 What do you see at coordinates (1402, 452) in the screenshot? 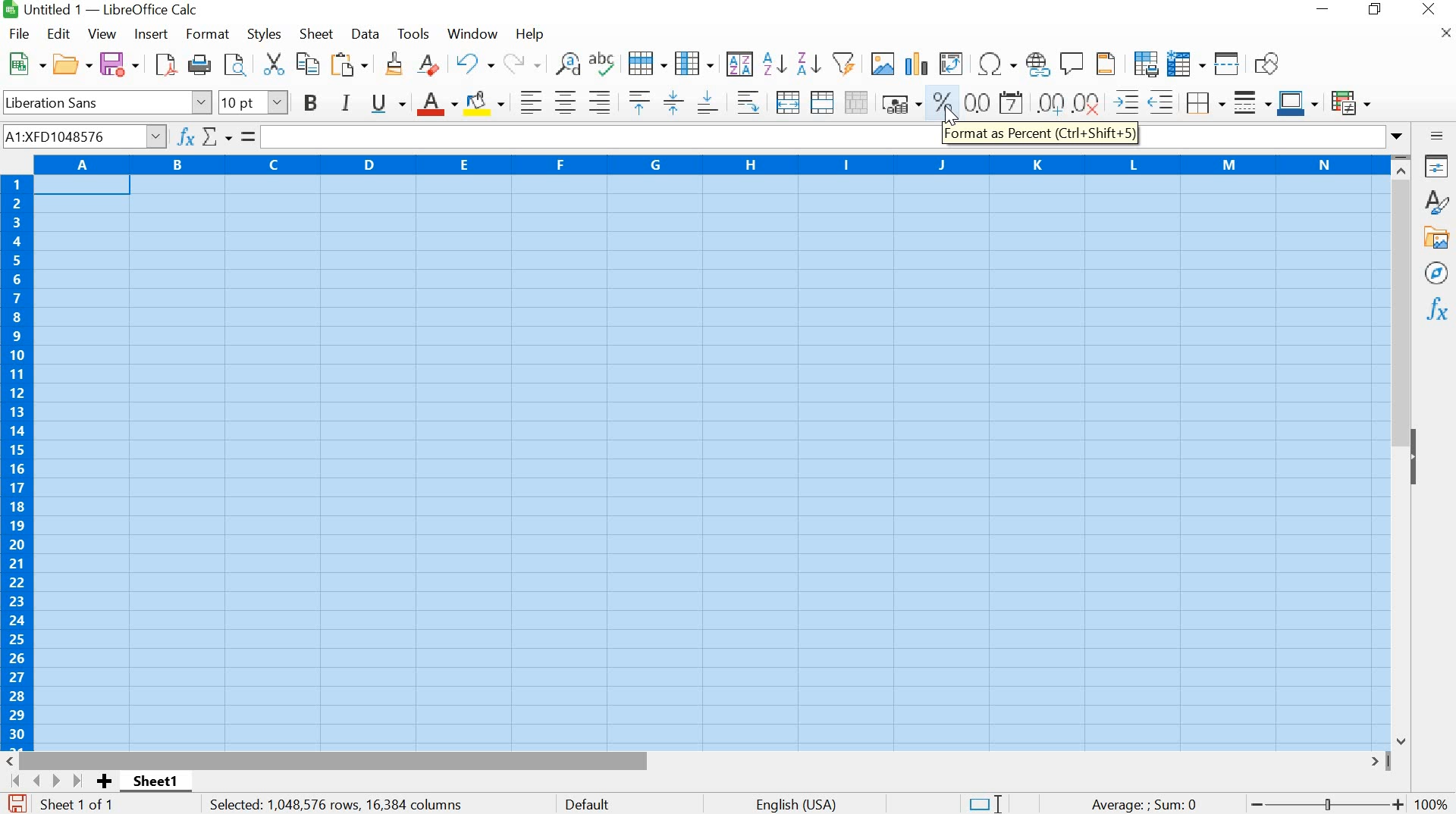
I see `SCROLLBAR` at bounding box center [1402, 452].